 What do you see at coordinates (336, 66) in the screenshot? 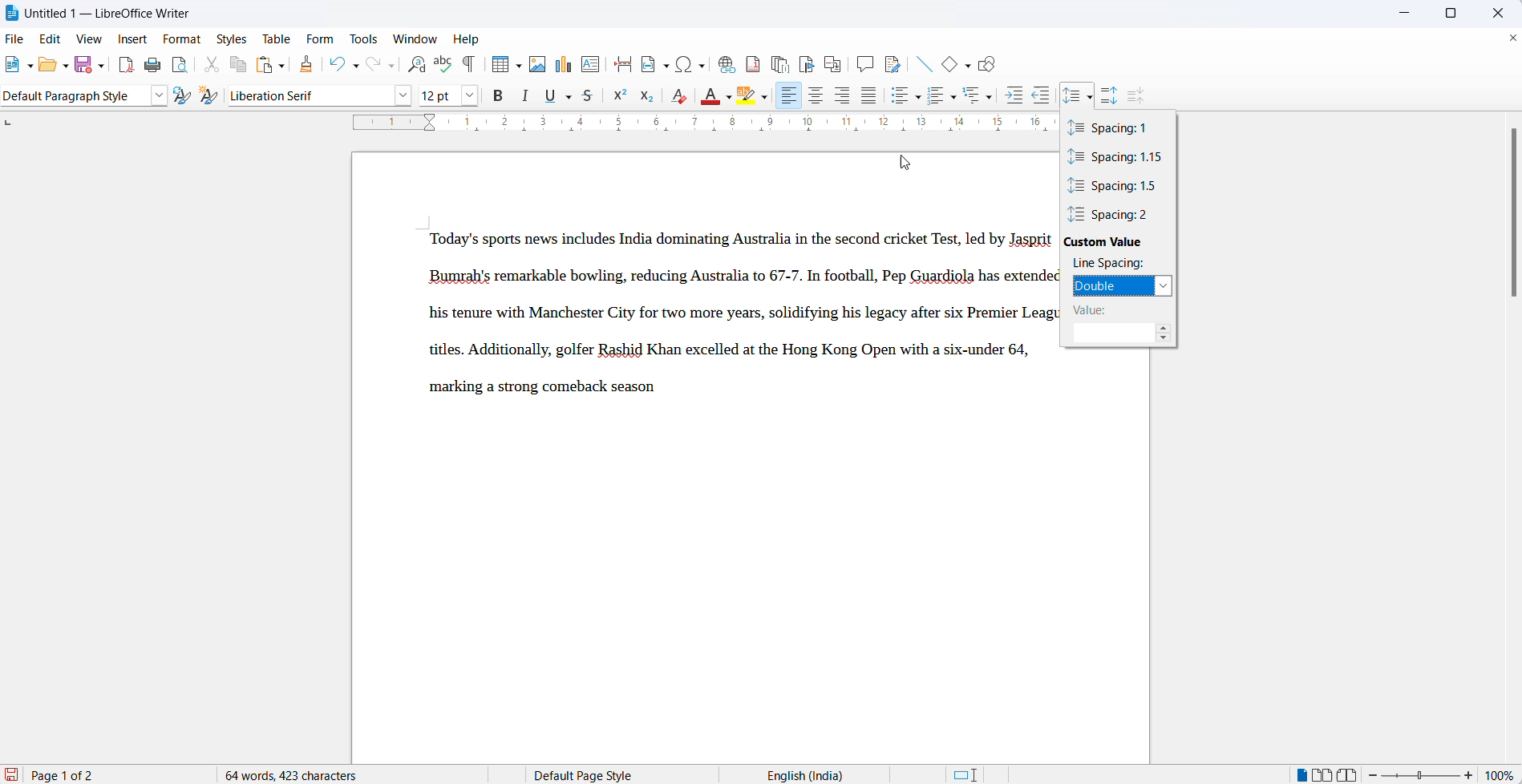
I see `undo` at bounding box center [336, 66].